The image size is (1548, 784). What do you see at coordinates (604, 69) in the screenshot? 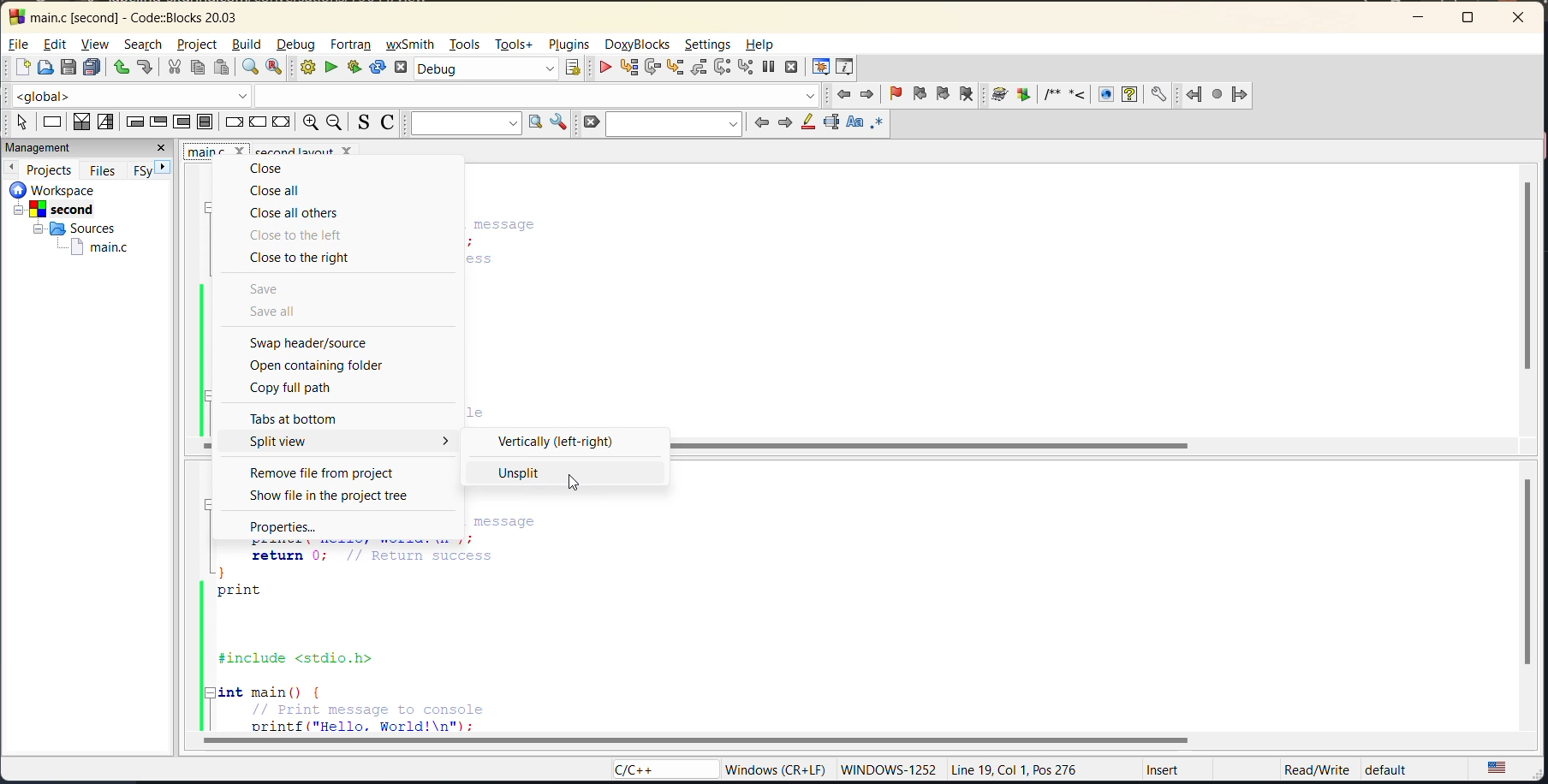
I see `debug/continue` at bounding box center [604, 69].